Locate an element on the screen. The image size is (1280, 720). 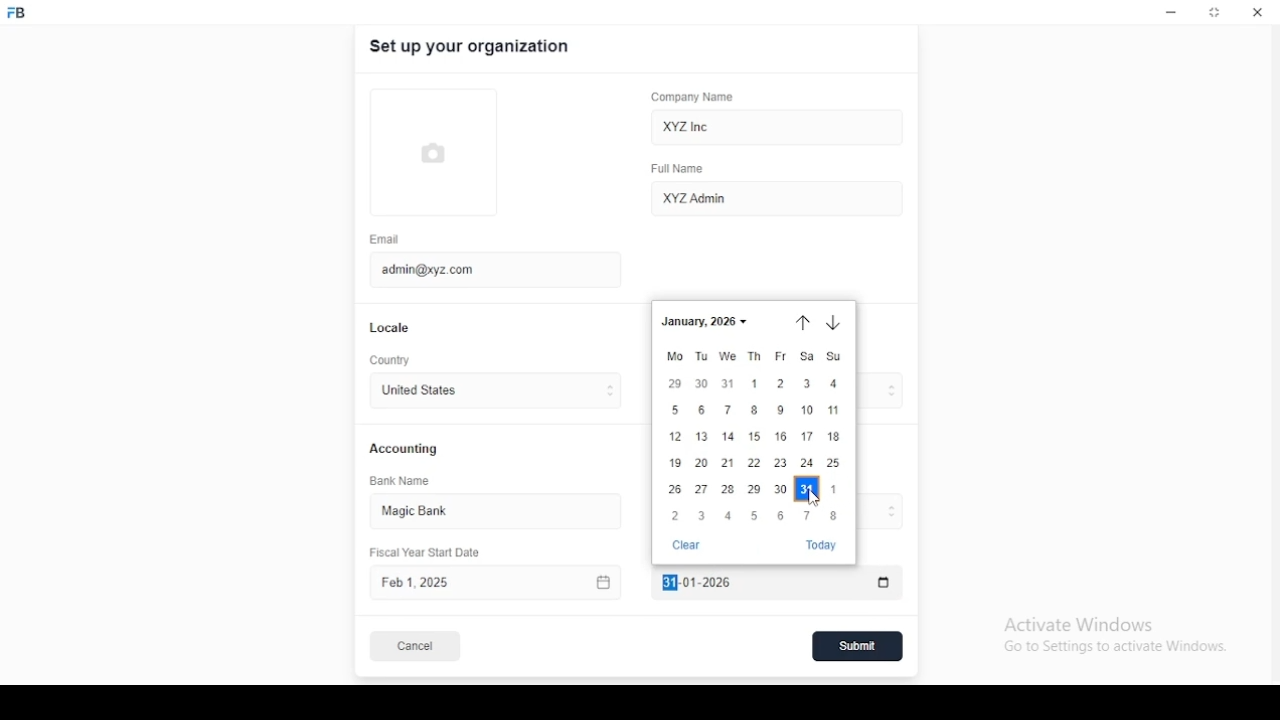
19 is located at coordinates (674, 465).